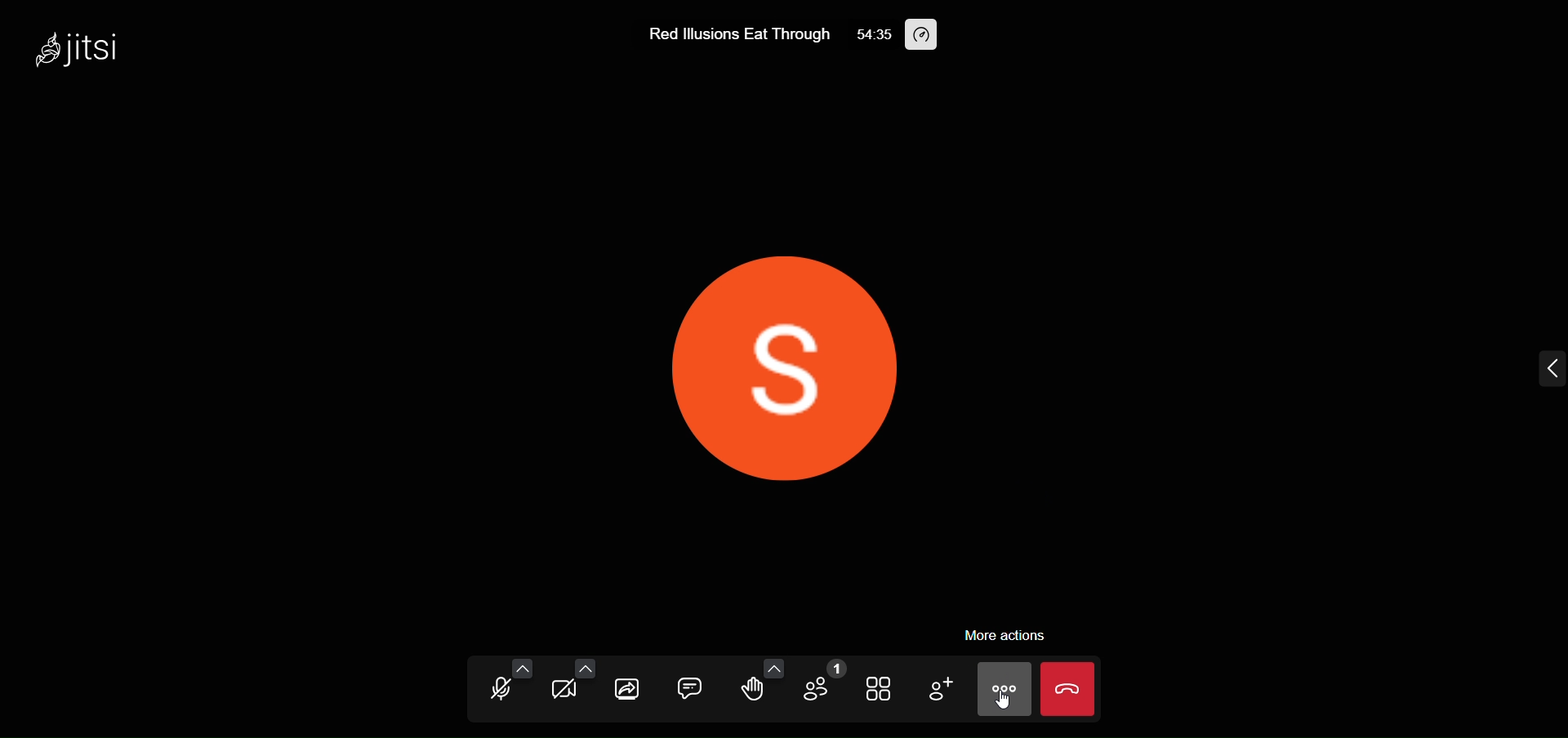  Describe the element at coordinates (827, 685) in the screenshot. I see `participant` at that location.